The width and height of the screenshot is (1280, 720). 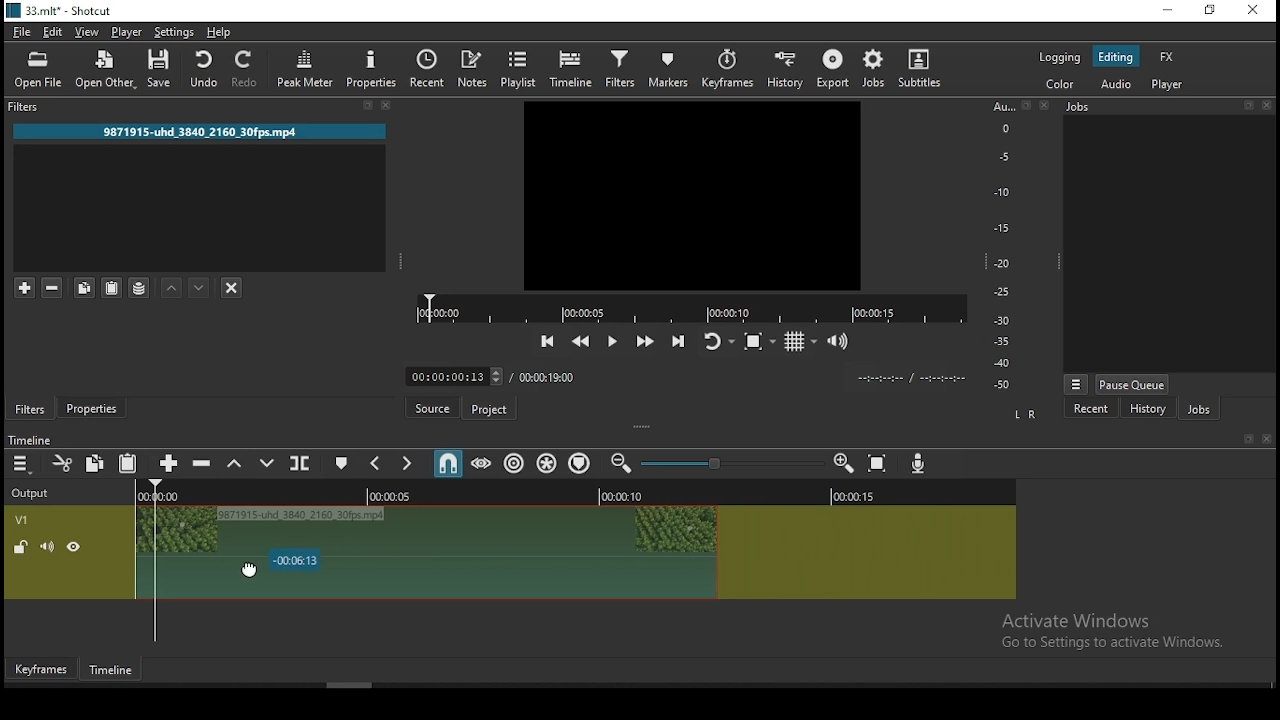 What do you see at coordinates (614, 341) in the screenshot?
I see `play/pause` at bounding box center [614, 341].